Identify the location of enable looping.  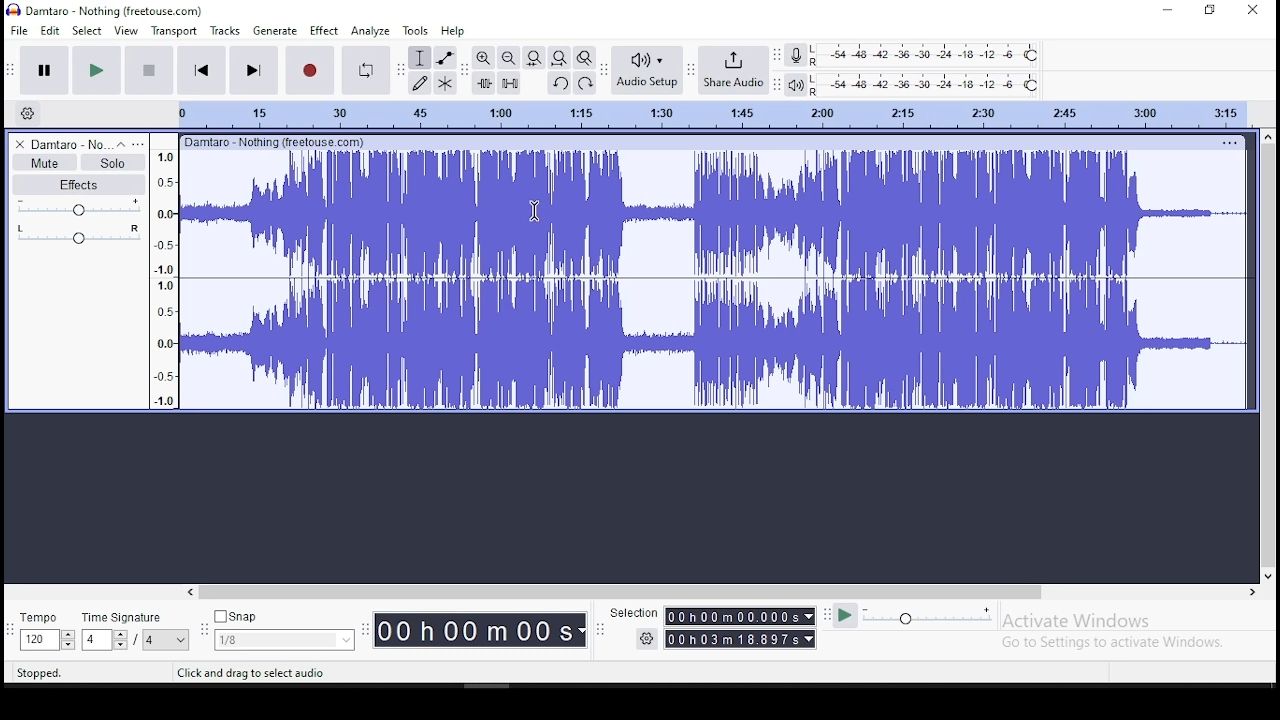
(366, 71).